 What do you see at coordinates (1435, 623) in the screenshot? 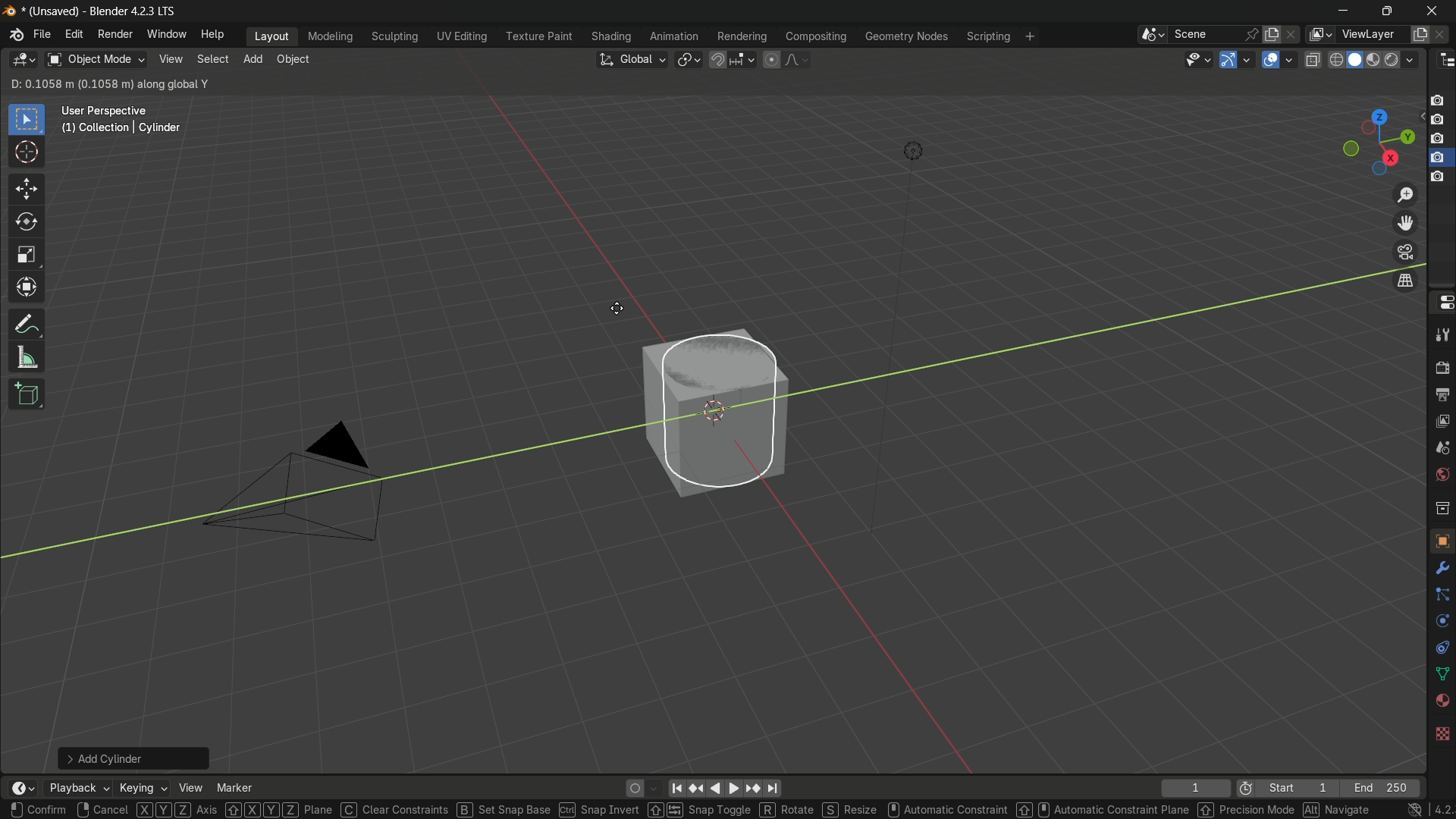
I see `rotate` at bounding box center [1435, 623].